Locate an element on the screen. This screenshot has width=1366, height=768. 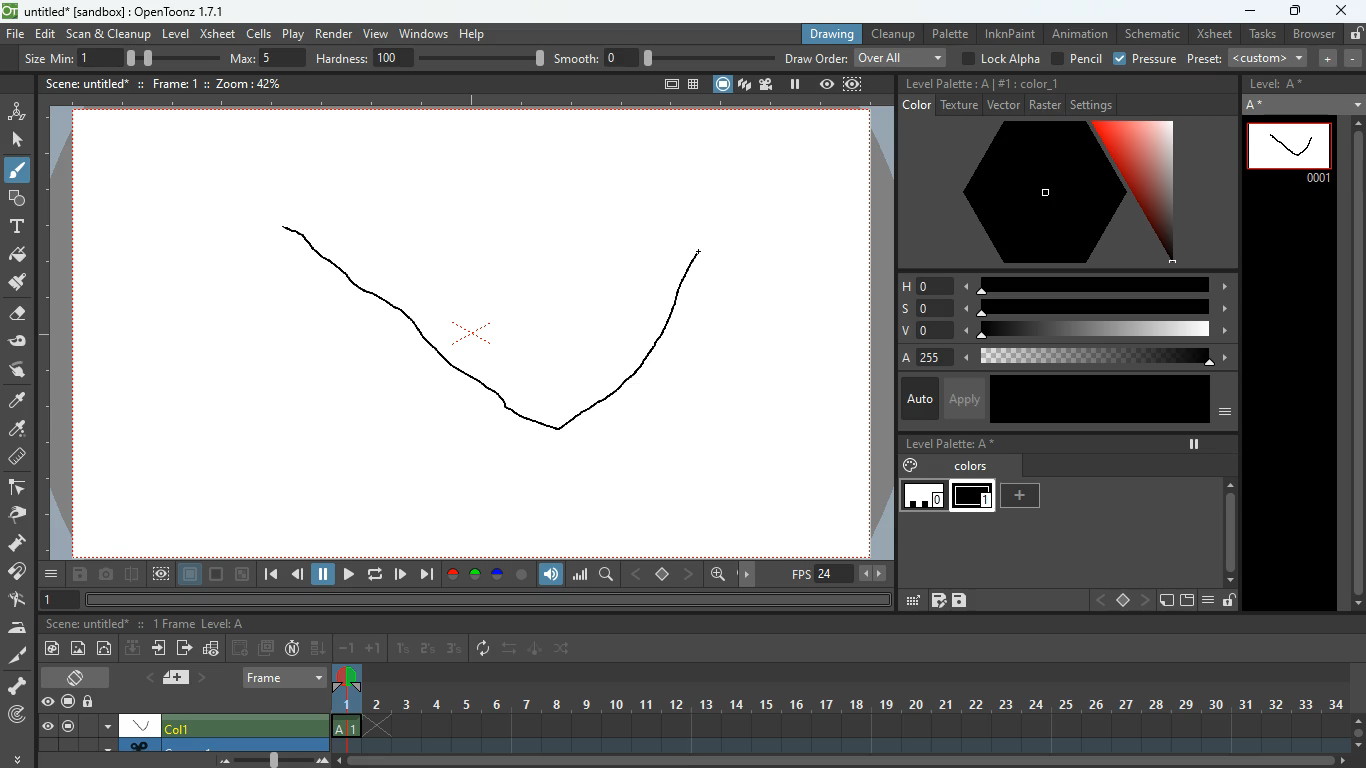
measure is located at coordinates (16, 458).